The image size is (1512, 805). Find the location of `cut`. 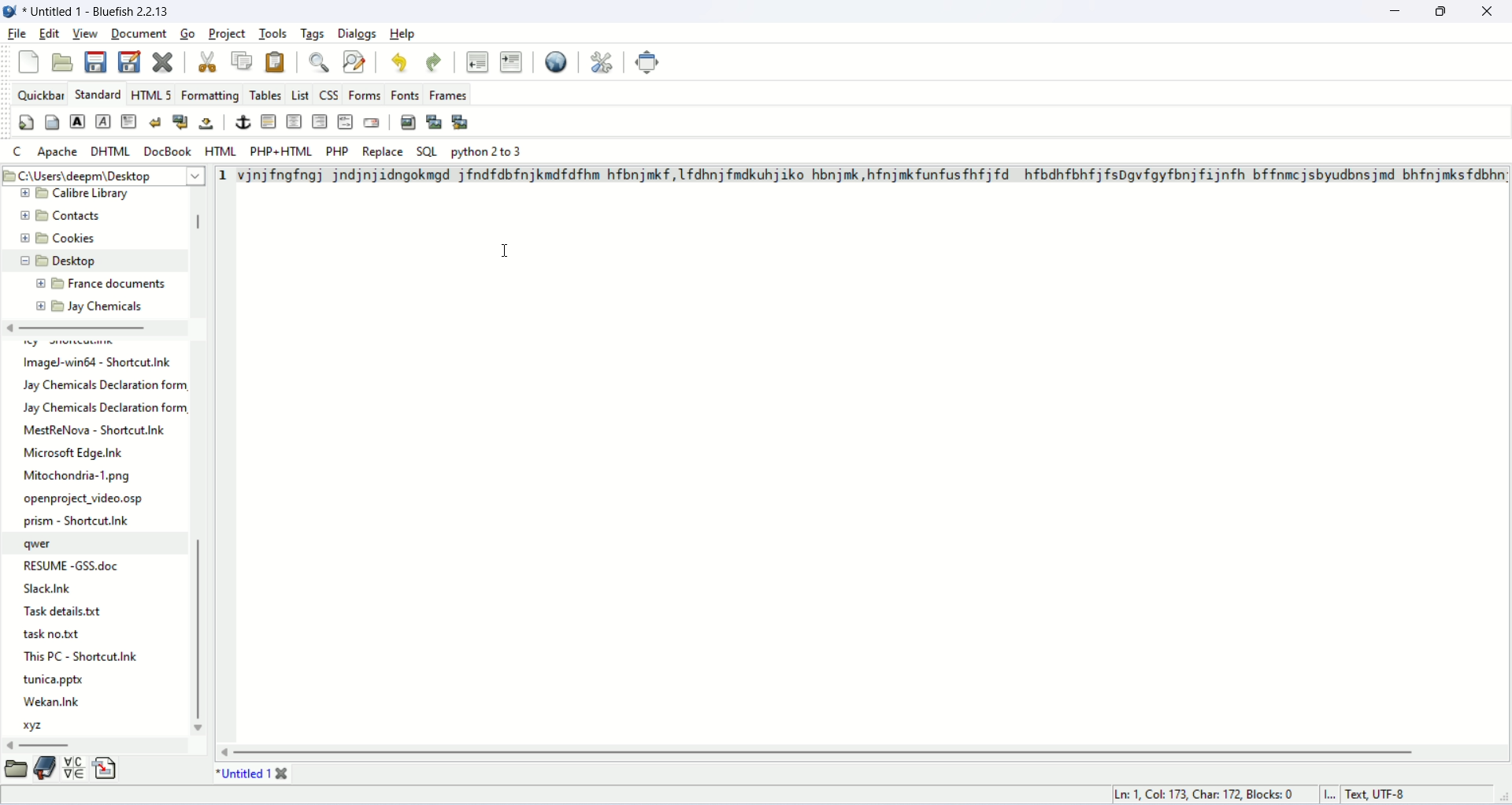

cut is located at coordinates (209, 61).